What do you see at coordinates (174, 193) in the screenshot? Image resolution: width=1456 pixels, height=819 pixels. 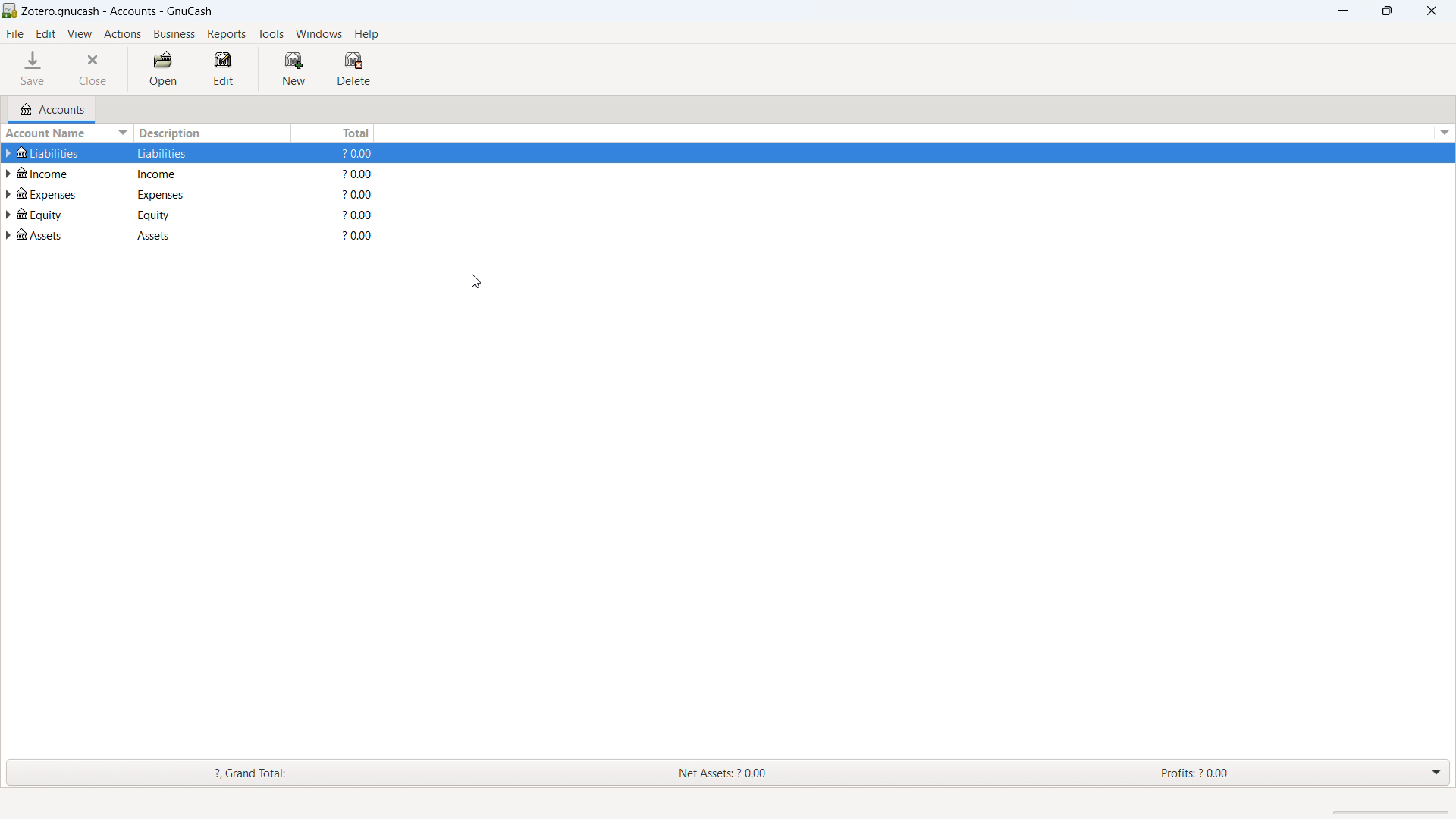 I see `expenses` at bounding box center [174, 193].